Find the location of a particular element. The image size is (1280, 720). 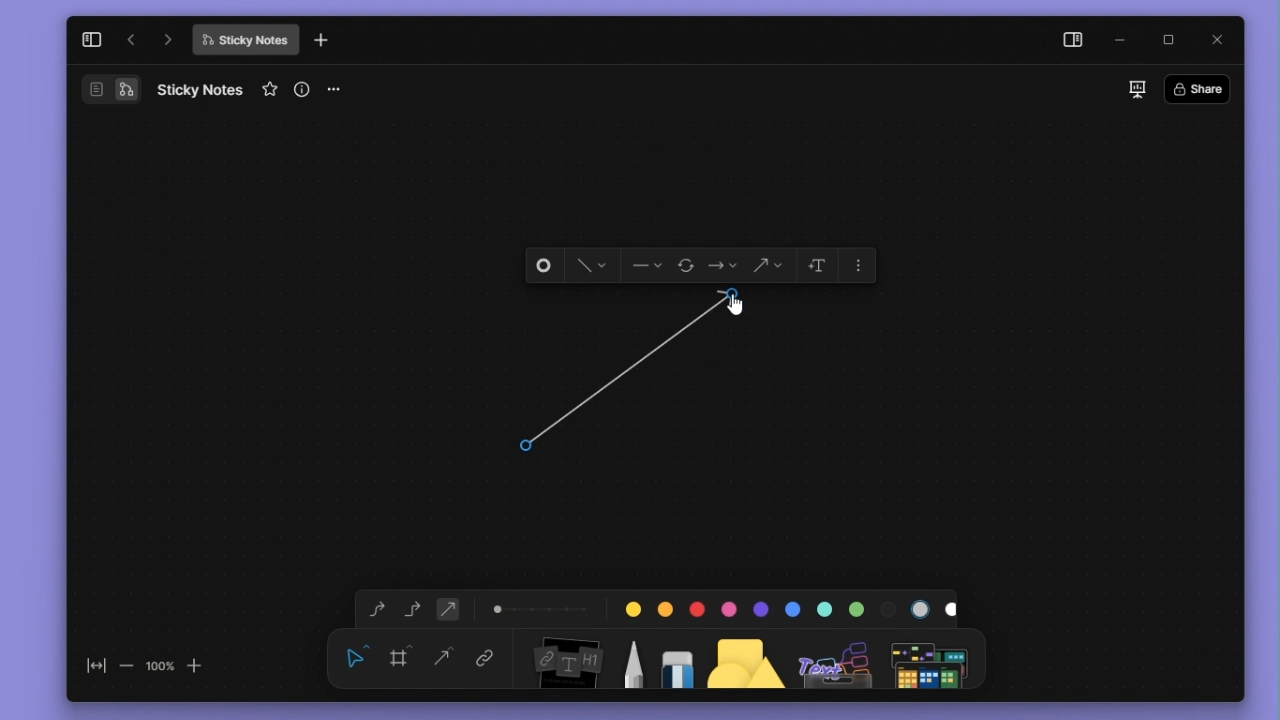

more is located at coordinates (341, 90).